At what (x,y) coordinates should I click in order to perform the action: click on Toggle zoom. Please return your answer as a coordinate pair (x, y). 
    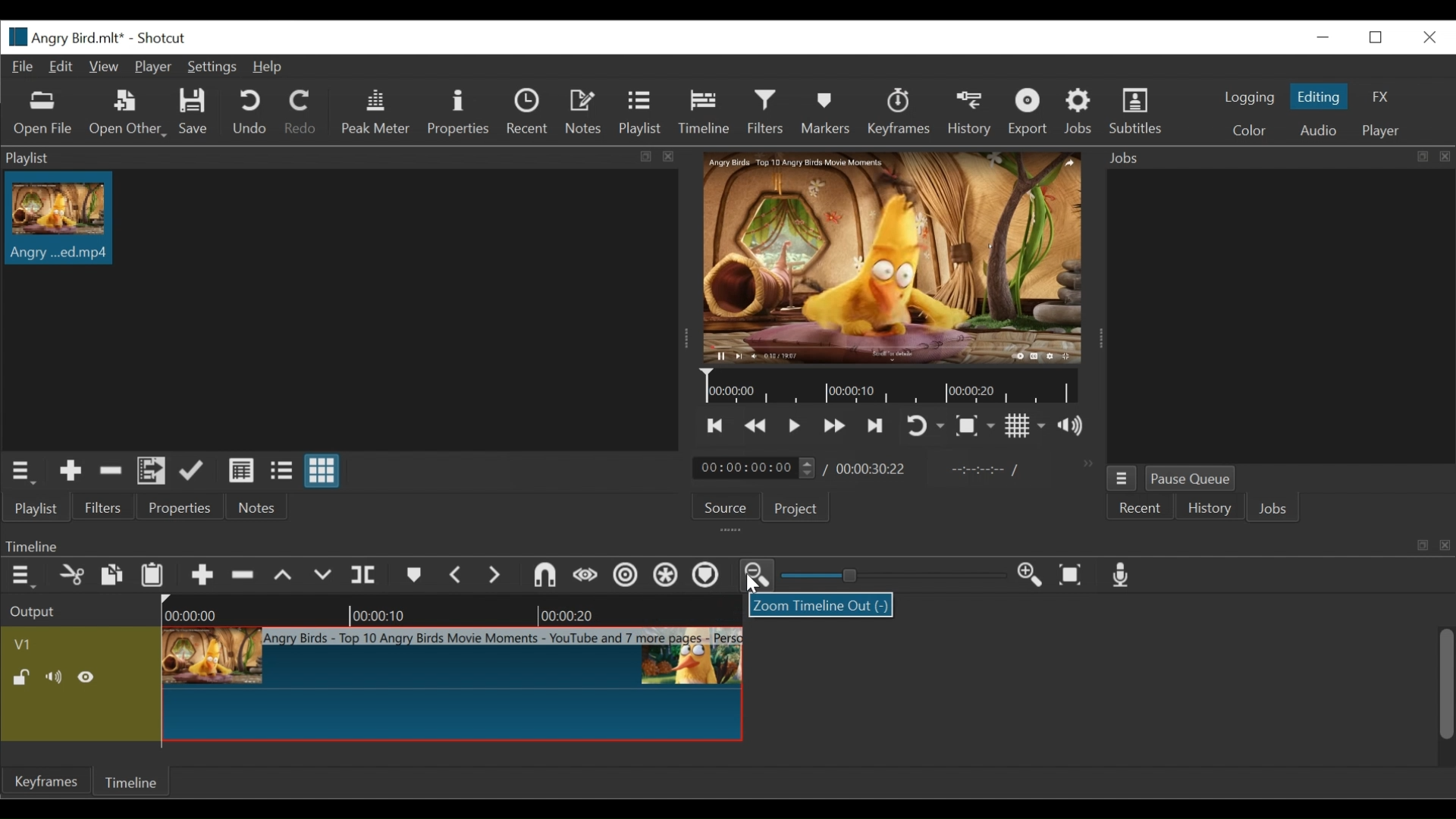
    Looking at the image, I should click on (977, 428).